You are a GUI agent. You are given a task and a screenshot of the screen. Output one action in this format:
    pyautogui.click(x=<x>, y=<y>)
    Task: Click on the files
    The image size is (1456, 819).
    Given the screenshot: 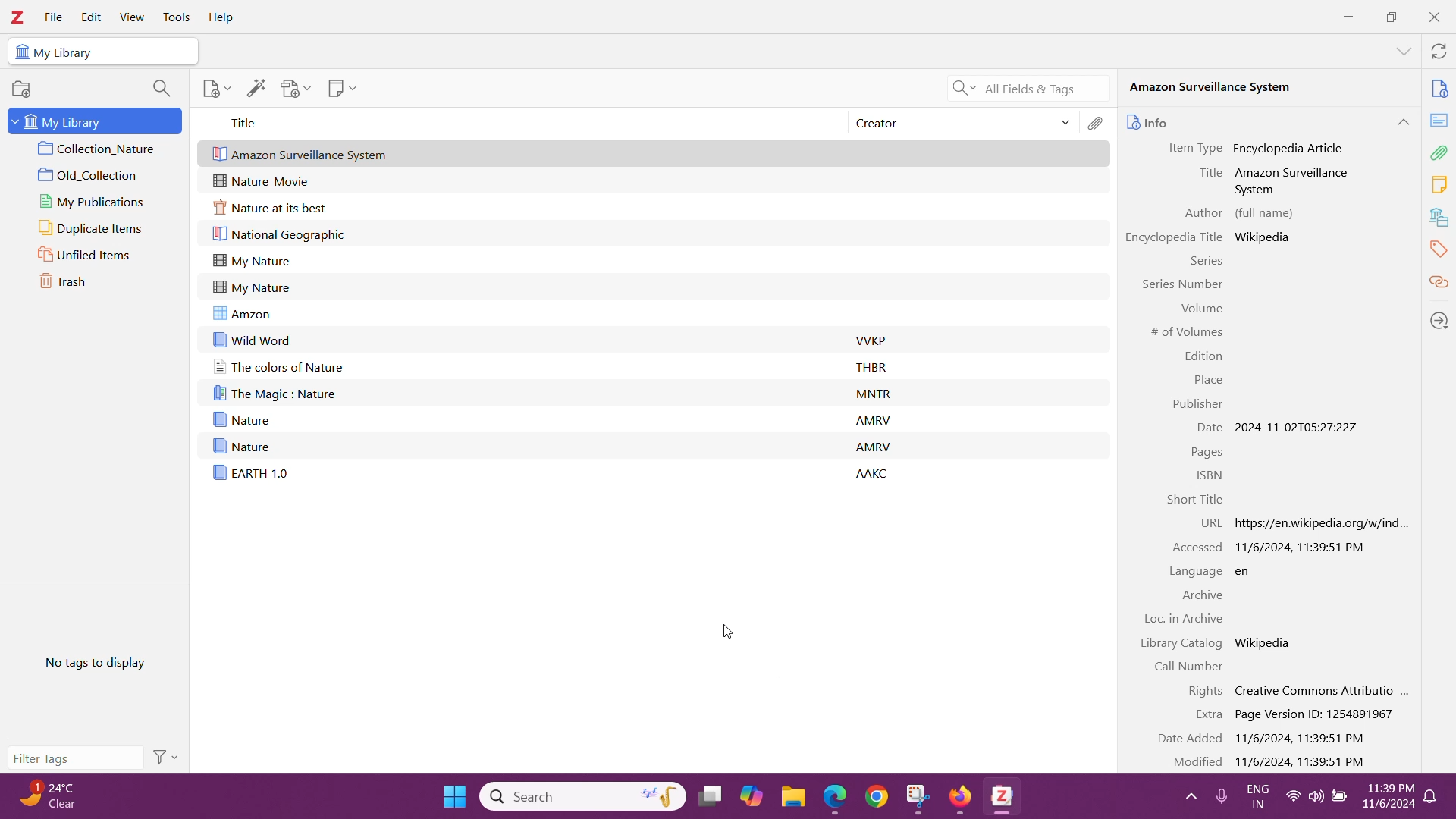 What is the action you would take?
    pyautogui.click(x=793, y=797)
    